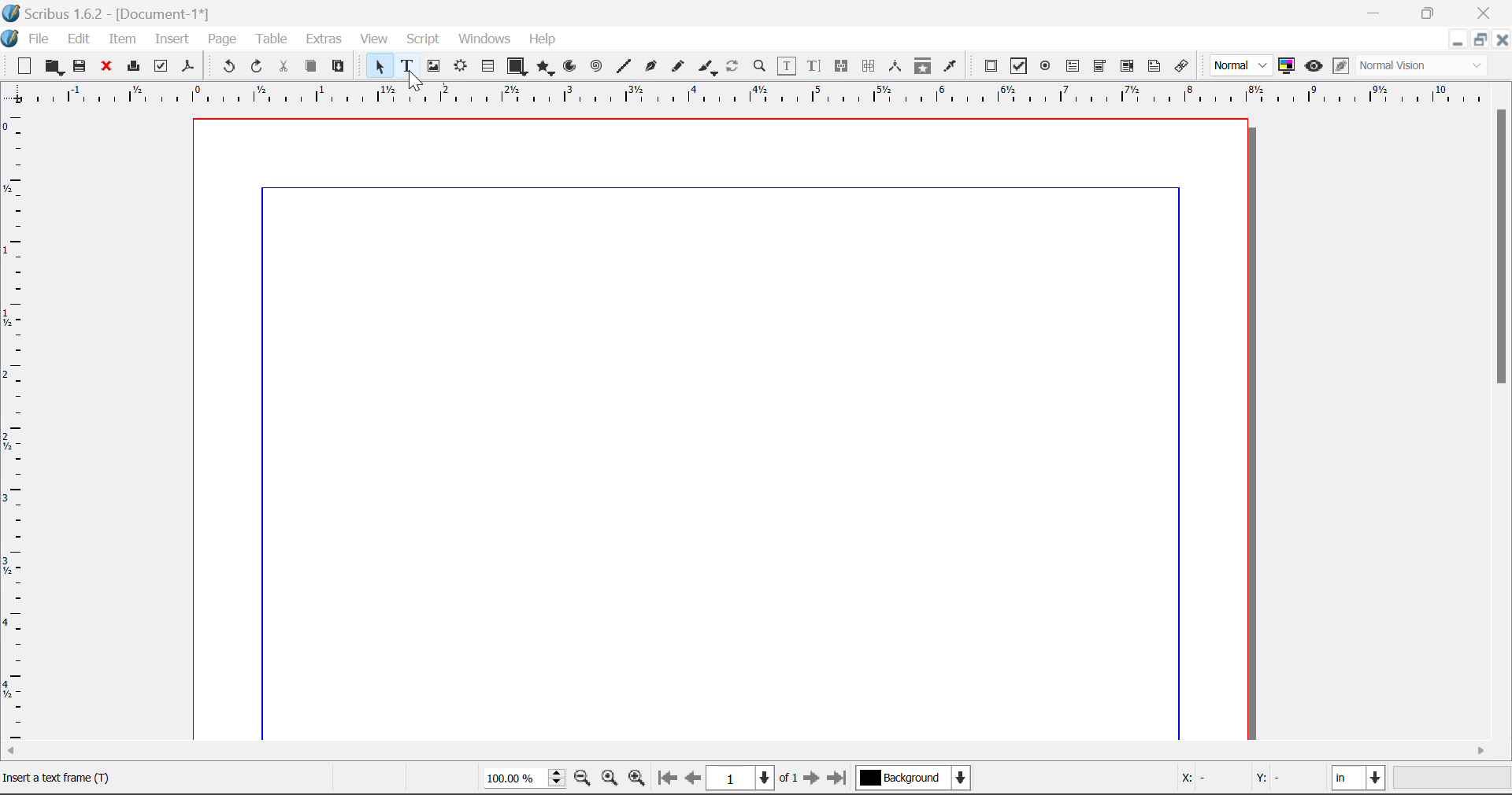 The image size is (1512, 795). What do you see at coordinates (113, 11) in the screenshot?
I see `Scribus 1.62 - [Document-1*]` at bounding box center [113, 11].